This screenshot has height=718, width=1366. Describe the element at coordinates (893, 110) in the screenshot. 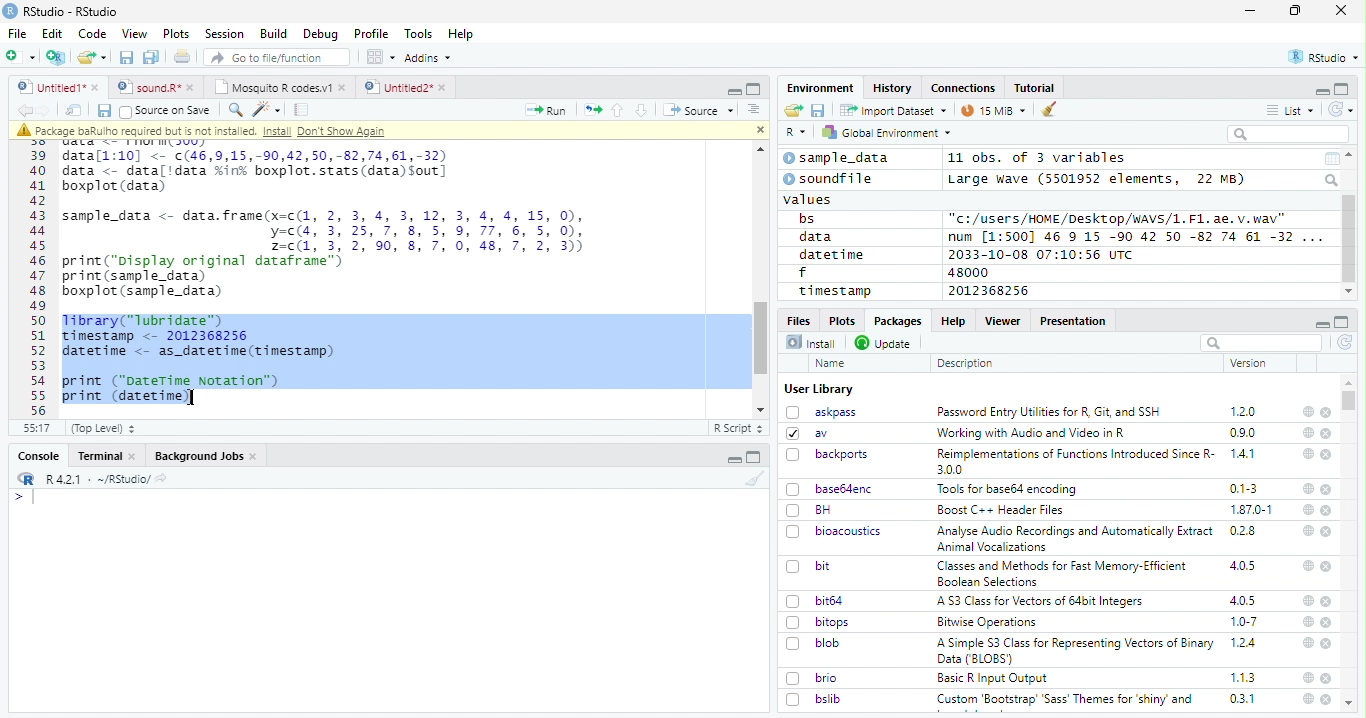

I see `Import Dataset` at that location.